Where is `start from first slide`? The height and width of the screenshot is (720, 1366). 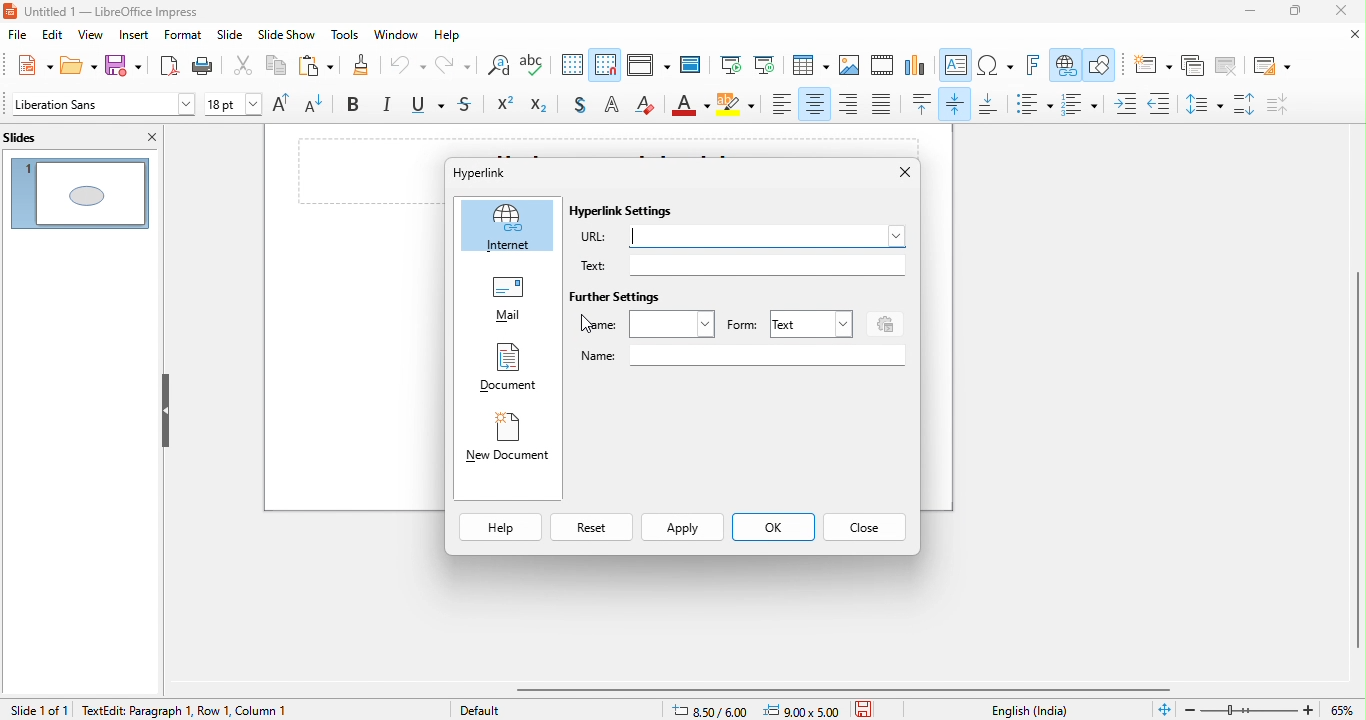
start from first slide is located at coordinates (730, 66).